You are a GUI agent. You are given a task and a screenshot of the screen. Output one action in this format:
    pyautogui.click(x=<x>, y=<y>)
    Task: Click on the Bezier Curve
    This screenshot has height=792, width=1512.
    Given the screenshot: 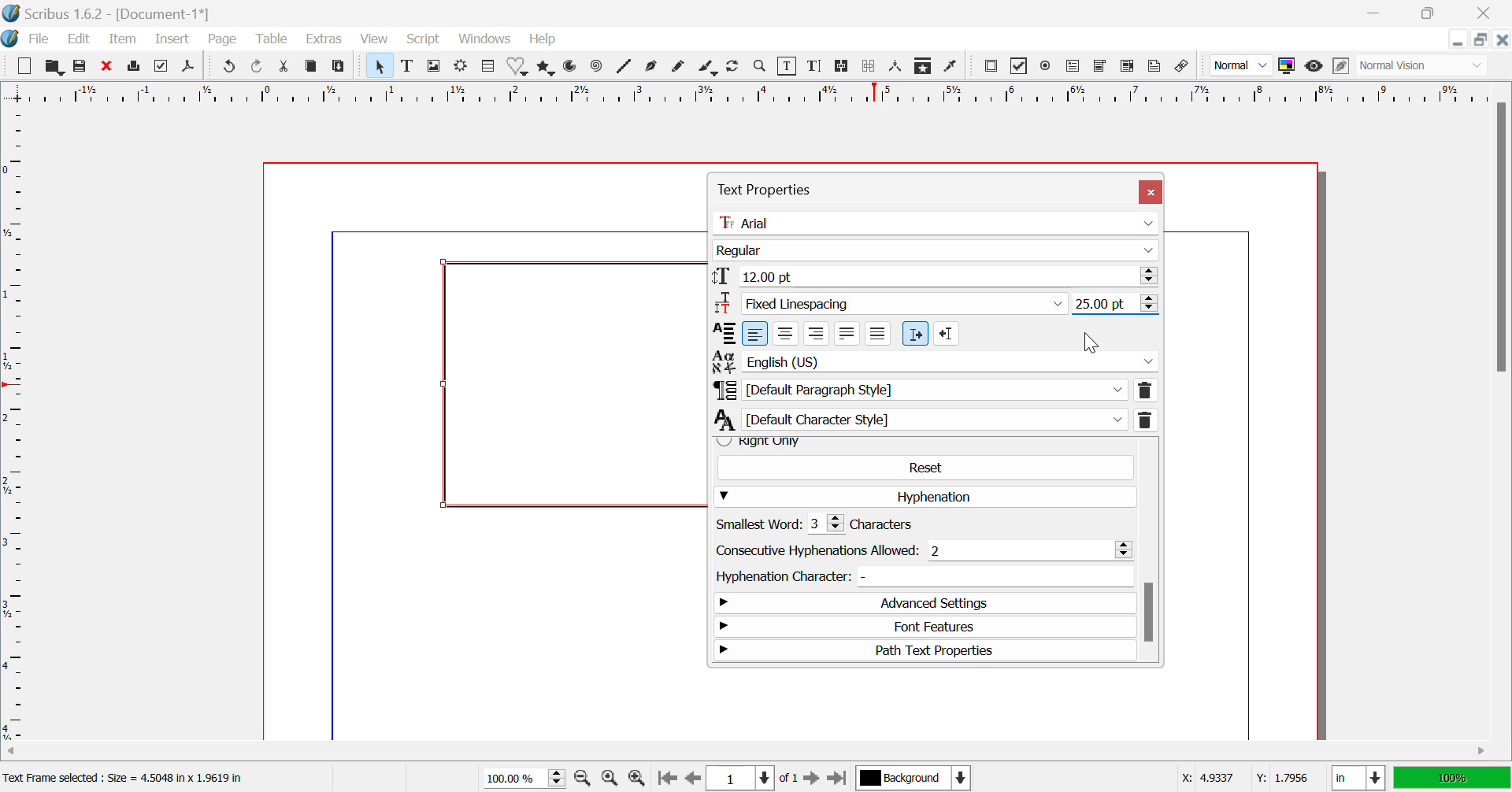 What is the action you would take?
    pyautogui.click(x=654, y=68)
    